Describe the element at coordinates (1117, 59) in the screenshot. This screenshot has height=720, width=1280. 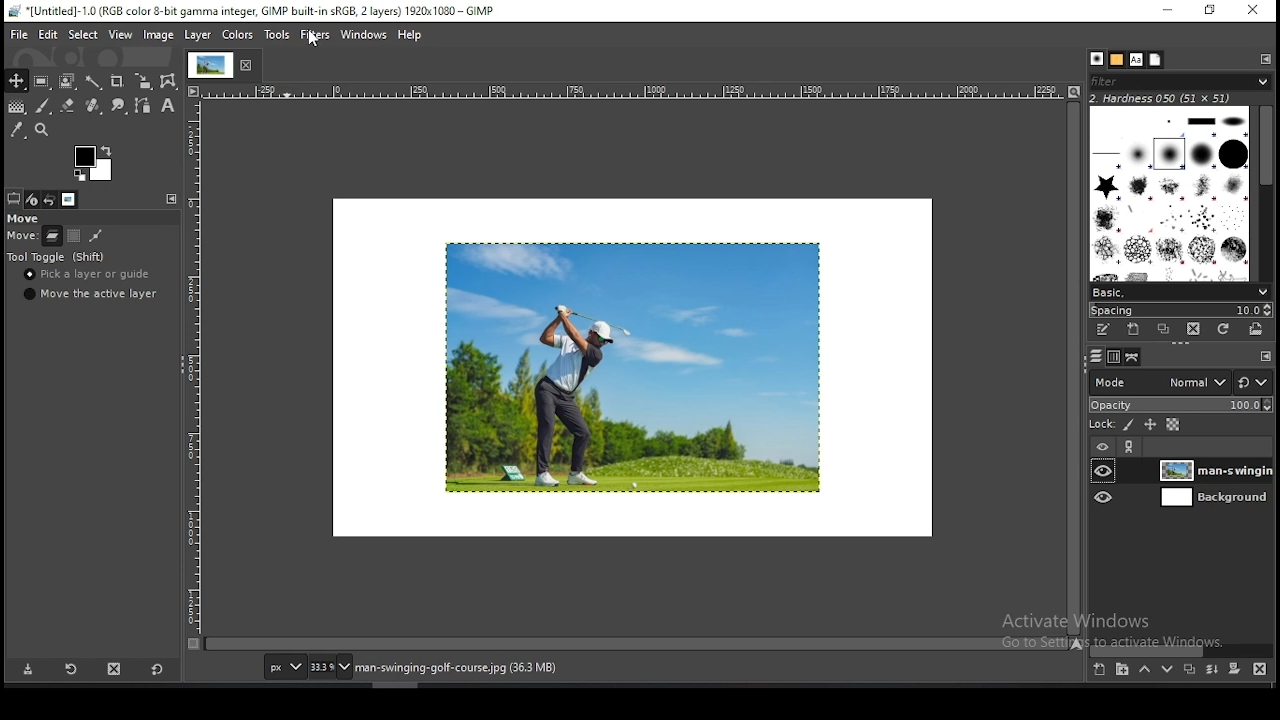
I see `patterns` at that location.